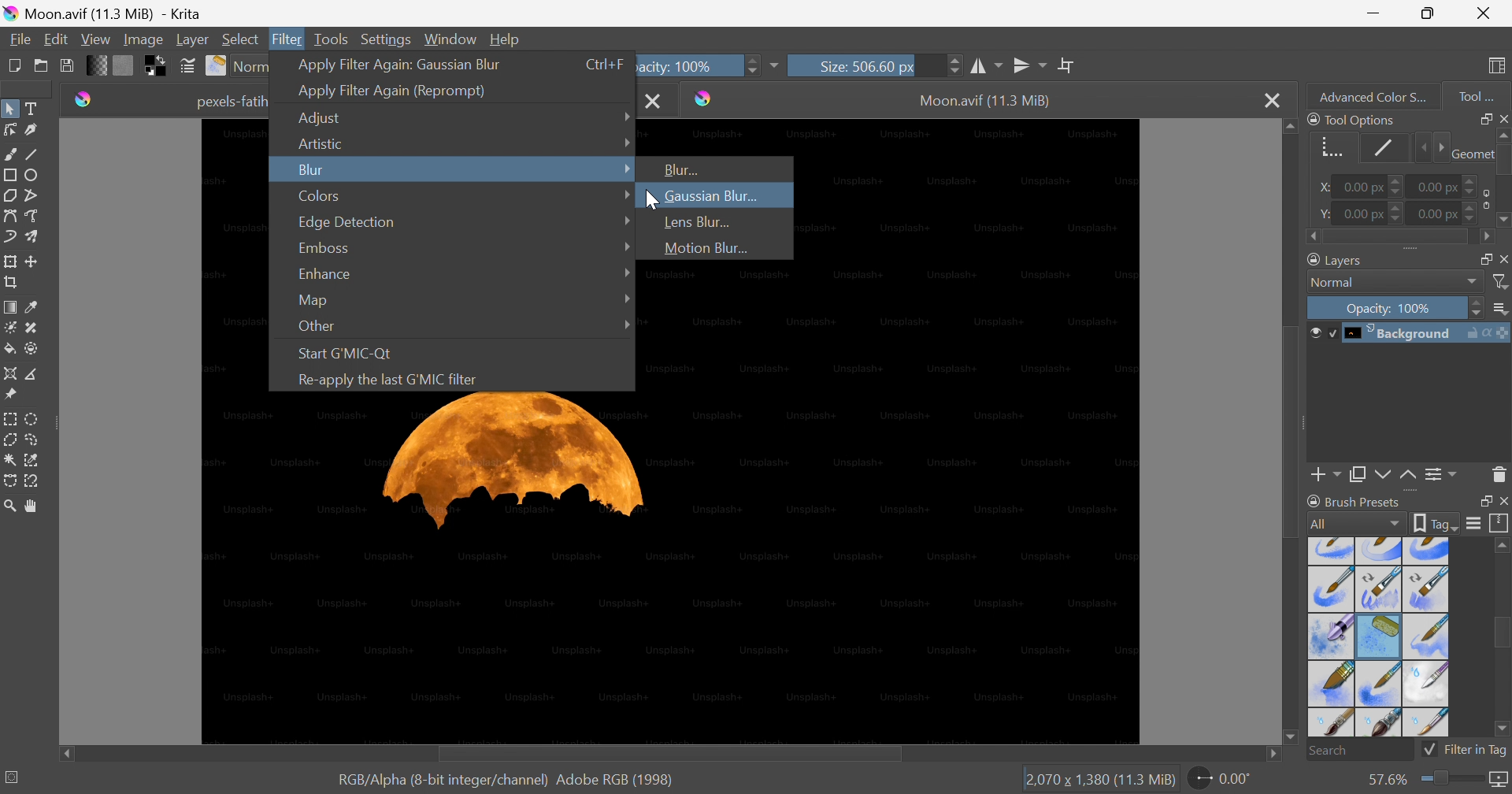 Image resolution: width=1512 pixels, height=794 pixels. I want to click on Stroke, so click(1380, 149).